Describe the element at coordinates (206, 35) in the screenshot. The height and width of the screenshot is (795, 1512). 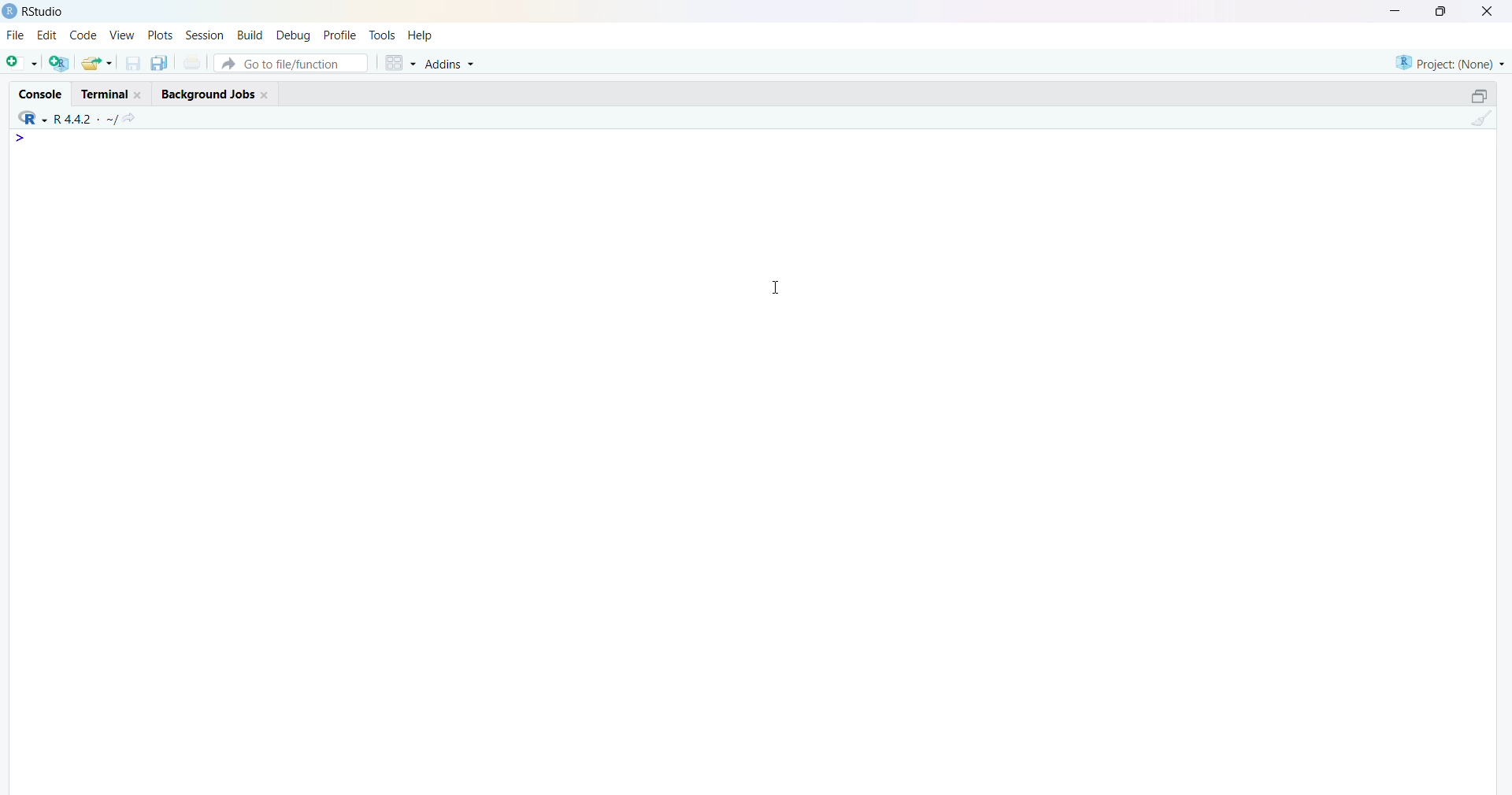
I see `session` at that location.